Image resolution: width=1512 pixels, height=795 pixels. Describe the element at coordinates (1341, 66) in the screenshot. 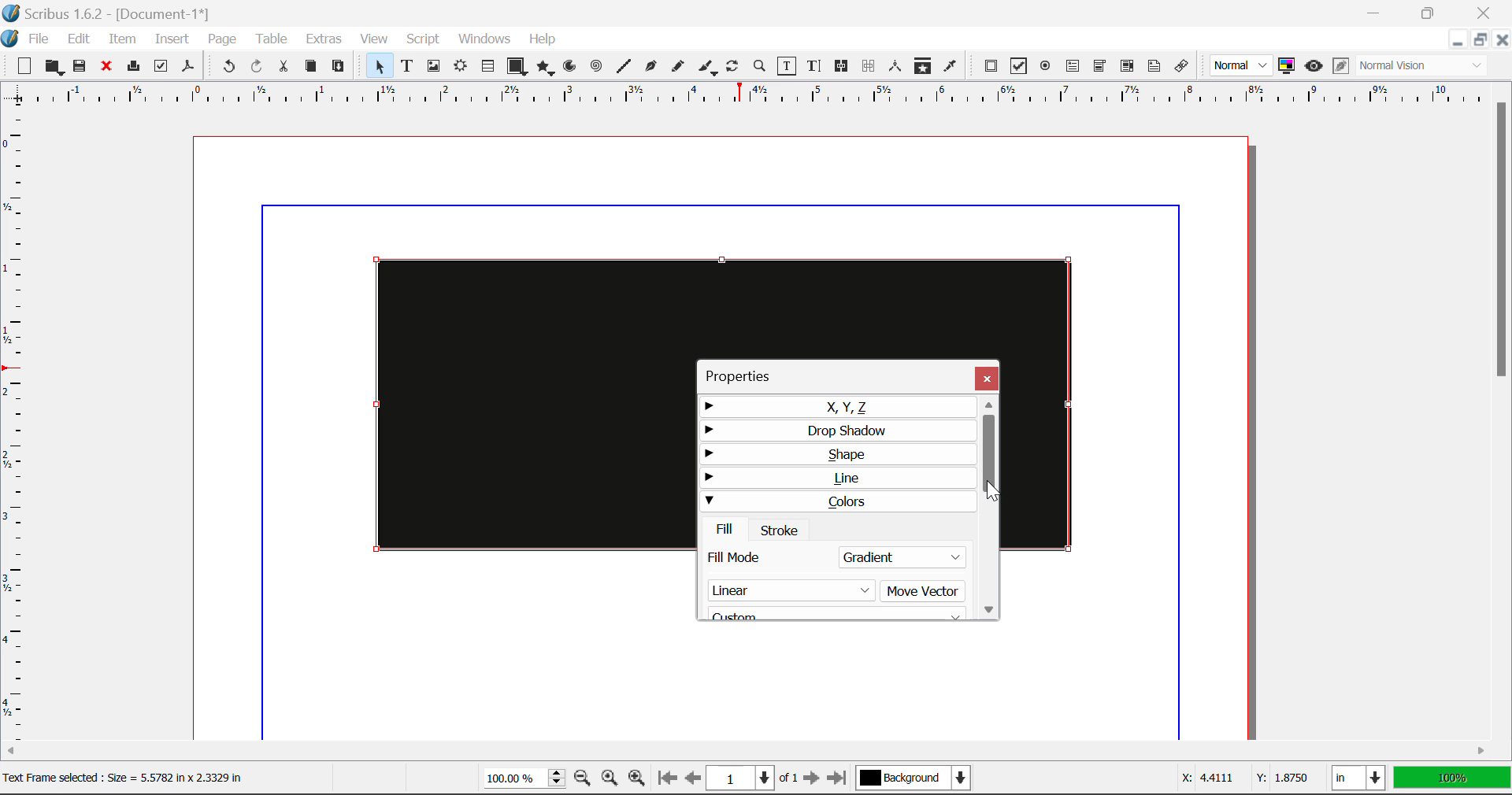

I see `Edit in Preview Mode` at that location.